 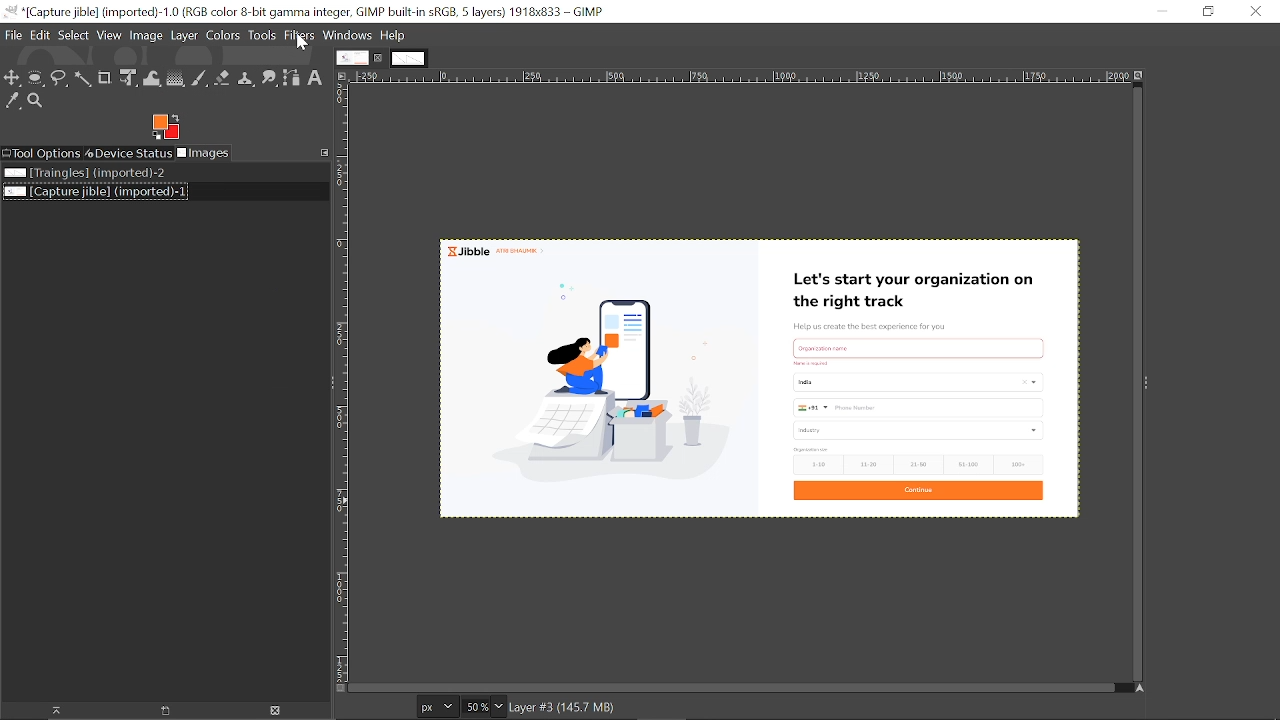 What do you see at coordinates (165, 127) in the screenshot?
I see `Foreground color` at bounding box center [165, 127].